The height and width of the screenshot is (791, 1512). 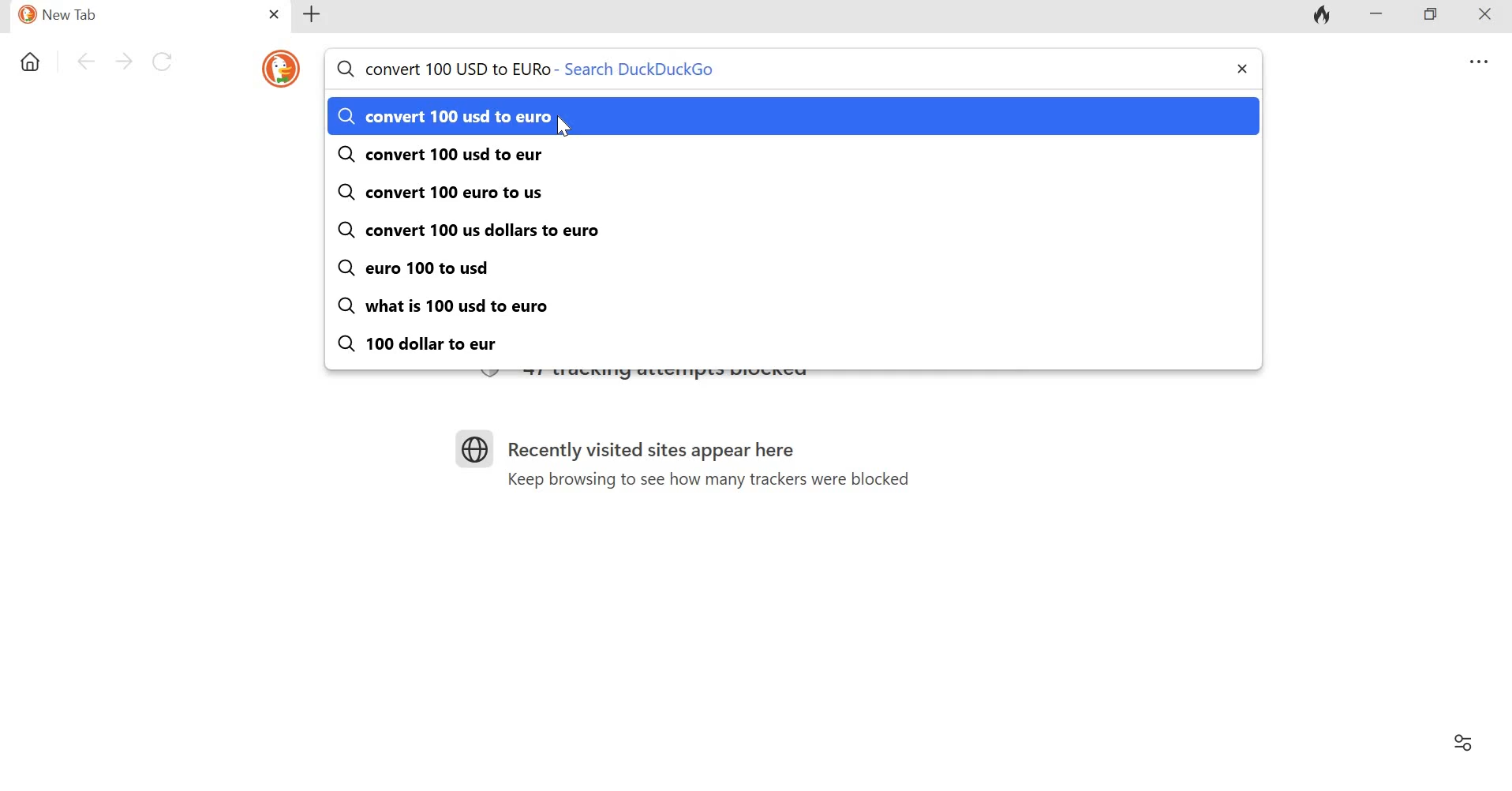 I want to click on Minimize, so click(x=1377, y=16).